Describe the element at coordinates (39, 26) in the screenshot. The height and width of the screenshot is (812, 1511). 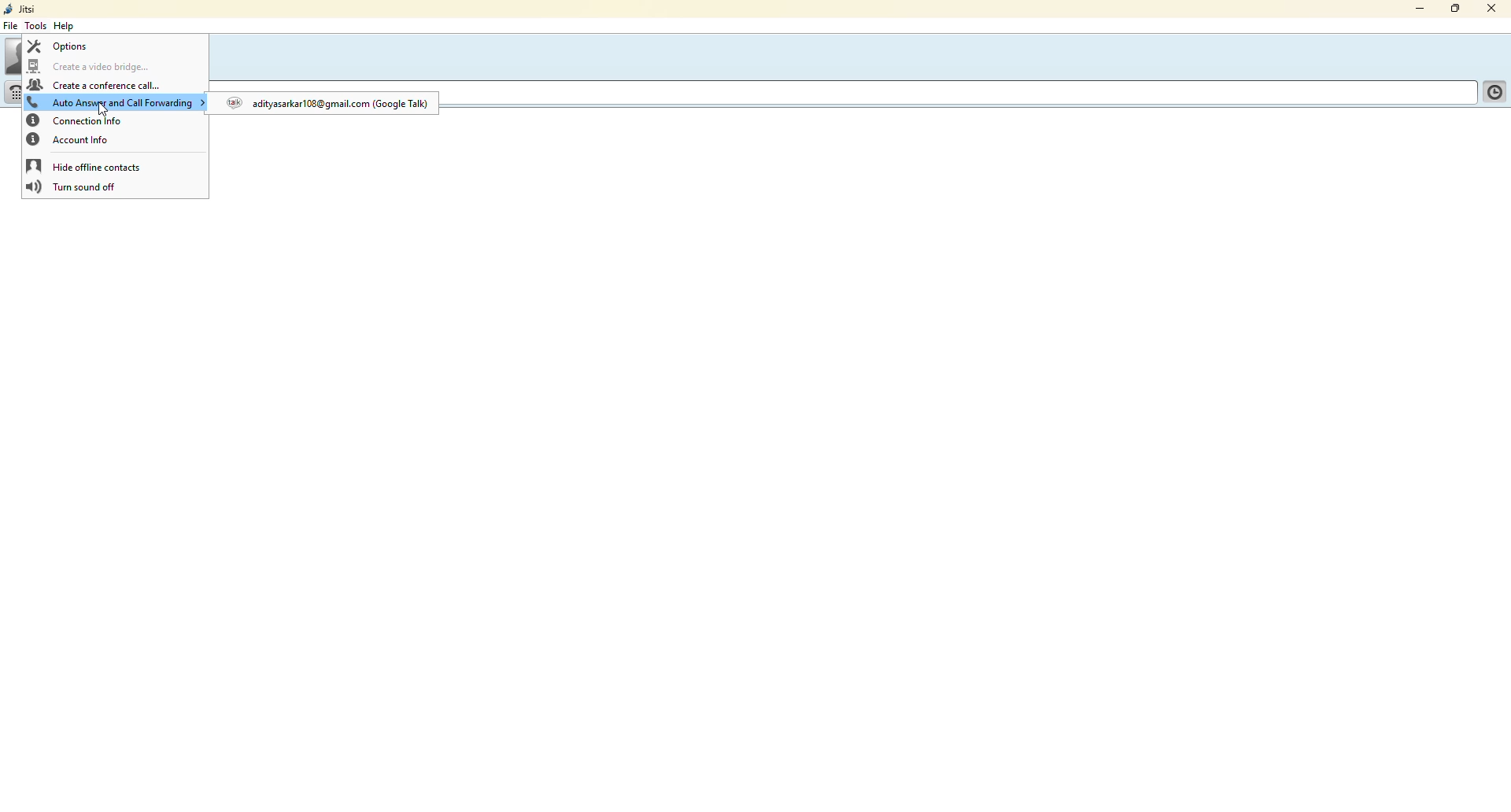
I see `tools` at that location.